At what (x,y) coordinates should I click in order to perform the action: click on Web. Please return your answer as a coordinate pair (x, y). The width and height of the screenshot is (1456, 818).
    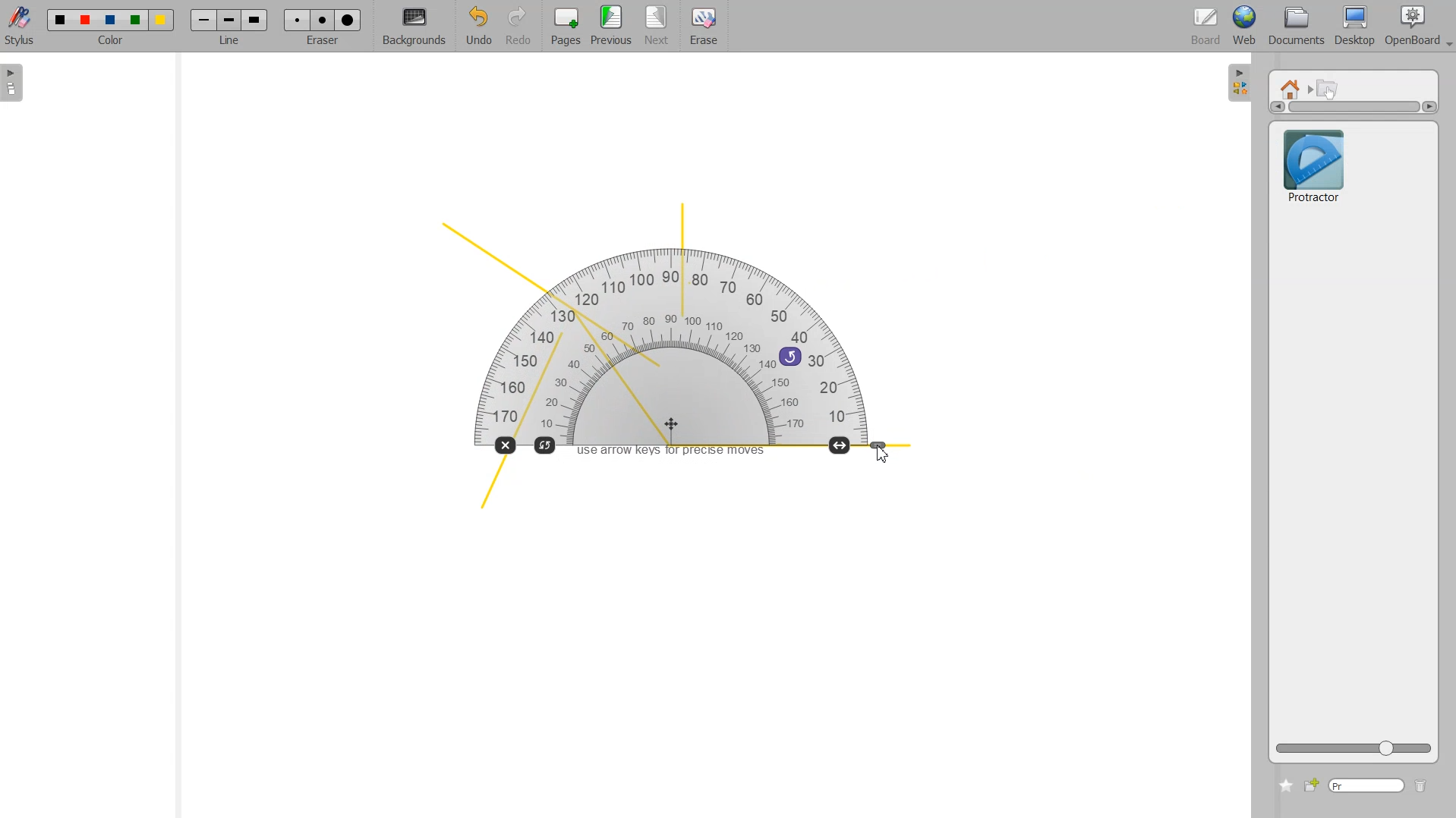
    Looking at the image, I should click on (1245, 27).